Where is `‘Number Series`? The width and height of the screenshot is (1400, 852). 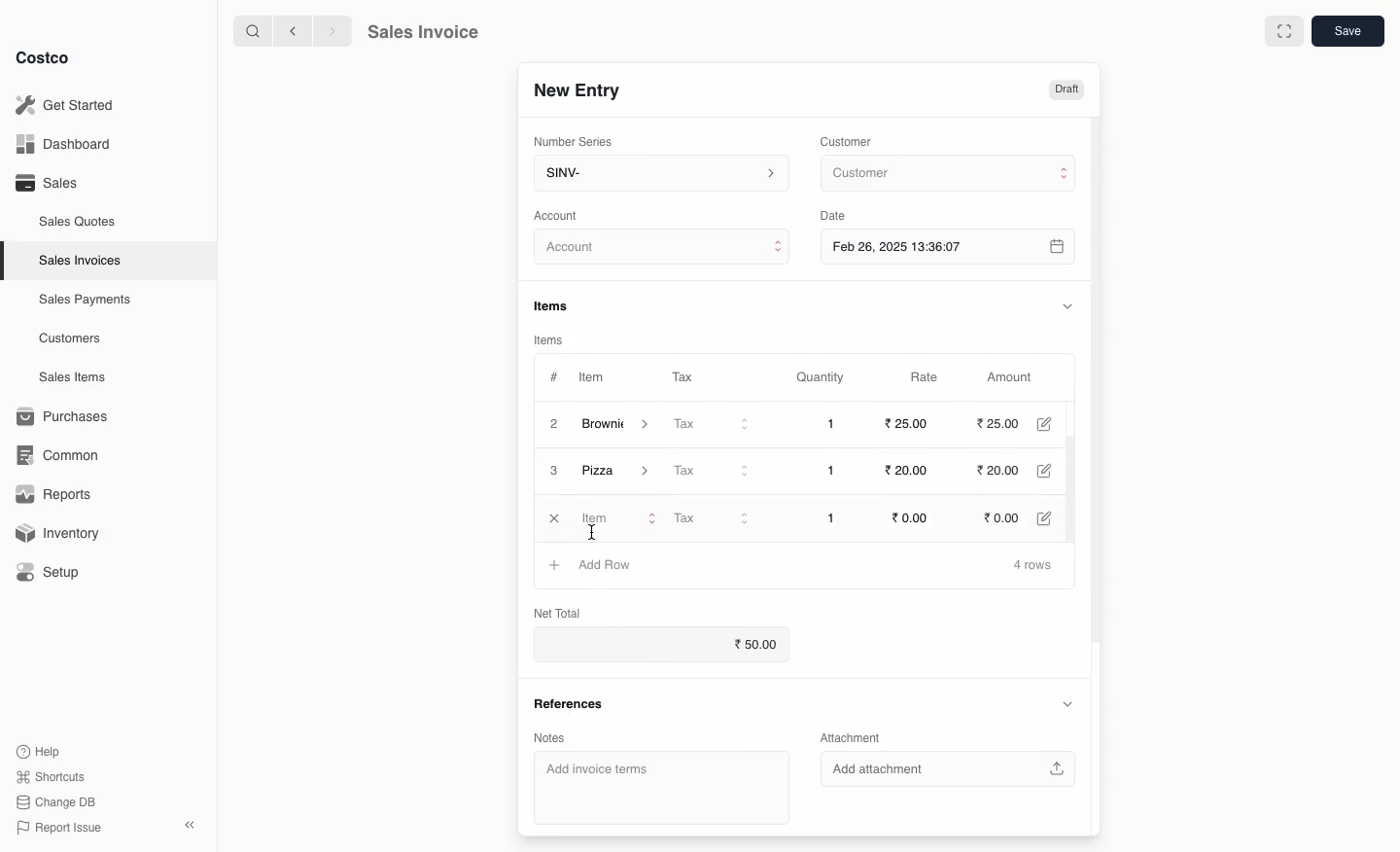
‘Number Series is located at coordinates (570, 142).